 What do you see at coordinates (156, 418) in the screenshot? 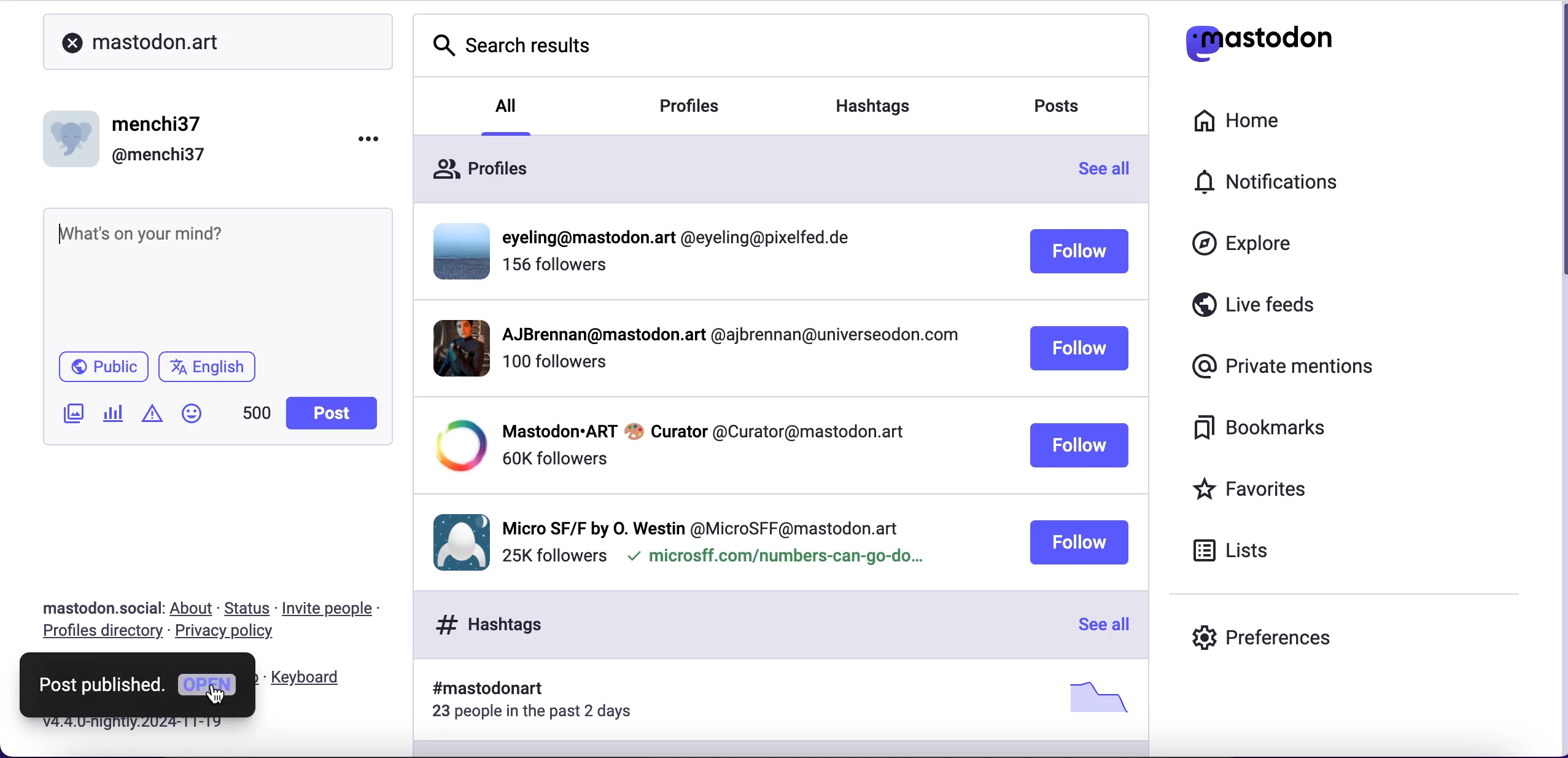
I see `add warning` at bounding box center [156, 418].